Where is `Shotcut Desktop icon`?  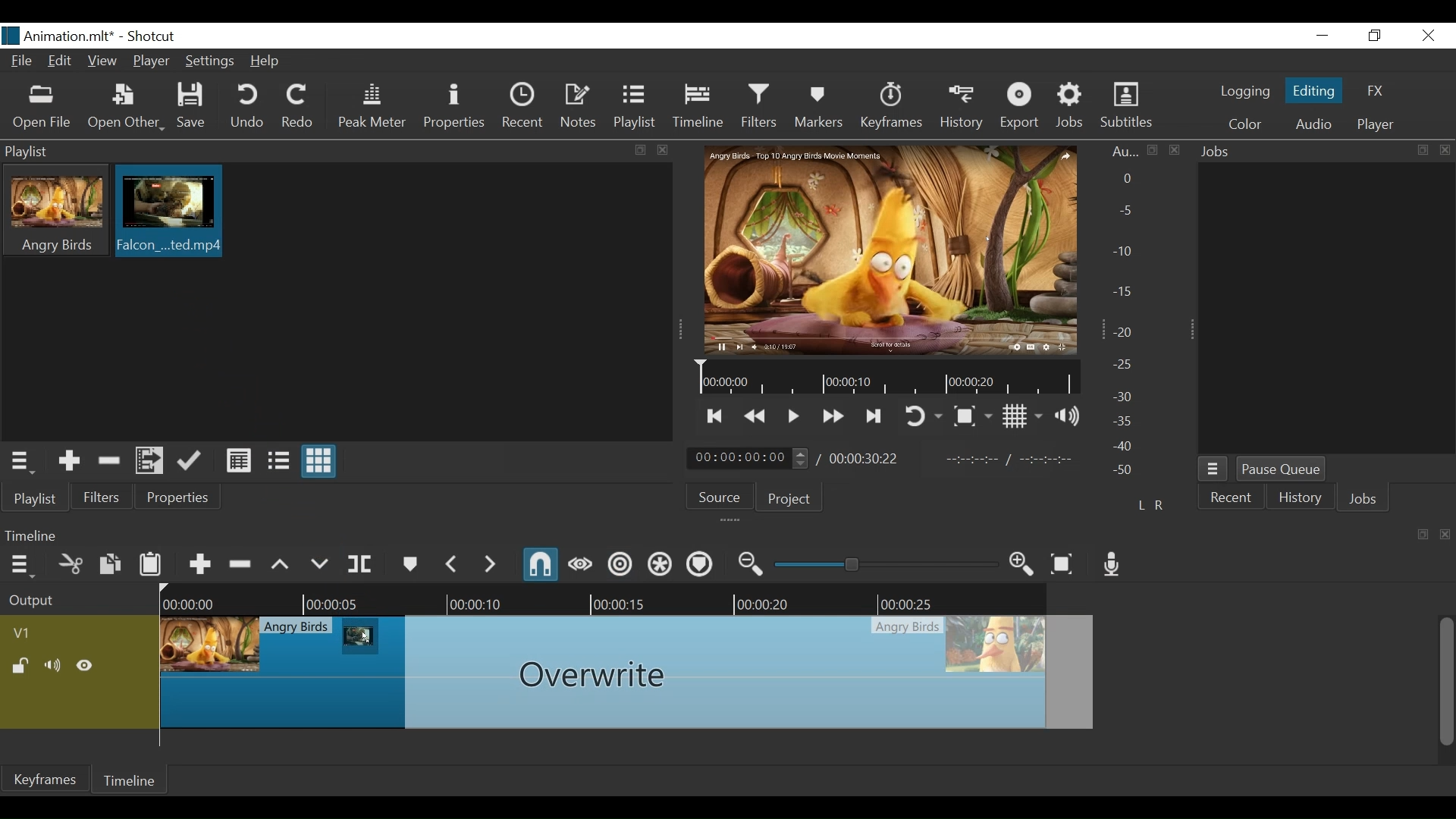
Shotcut Desktop icon is located at coordinates (11, 36).